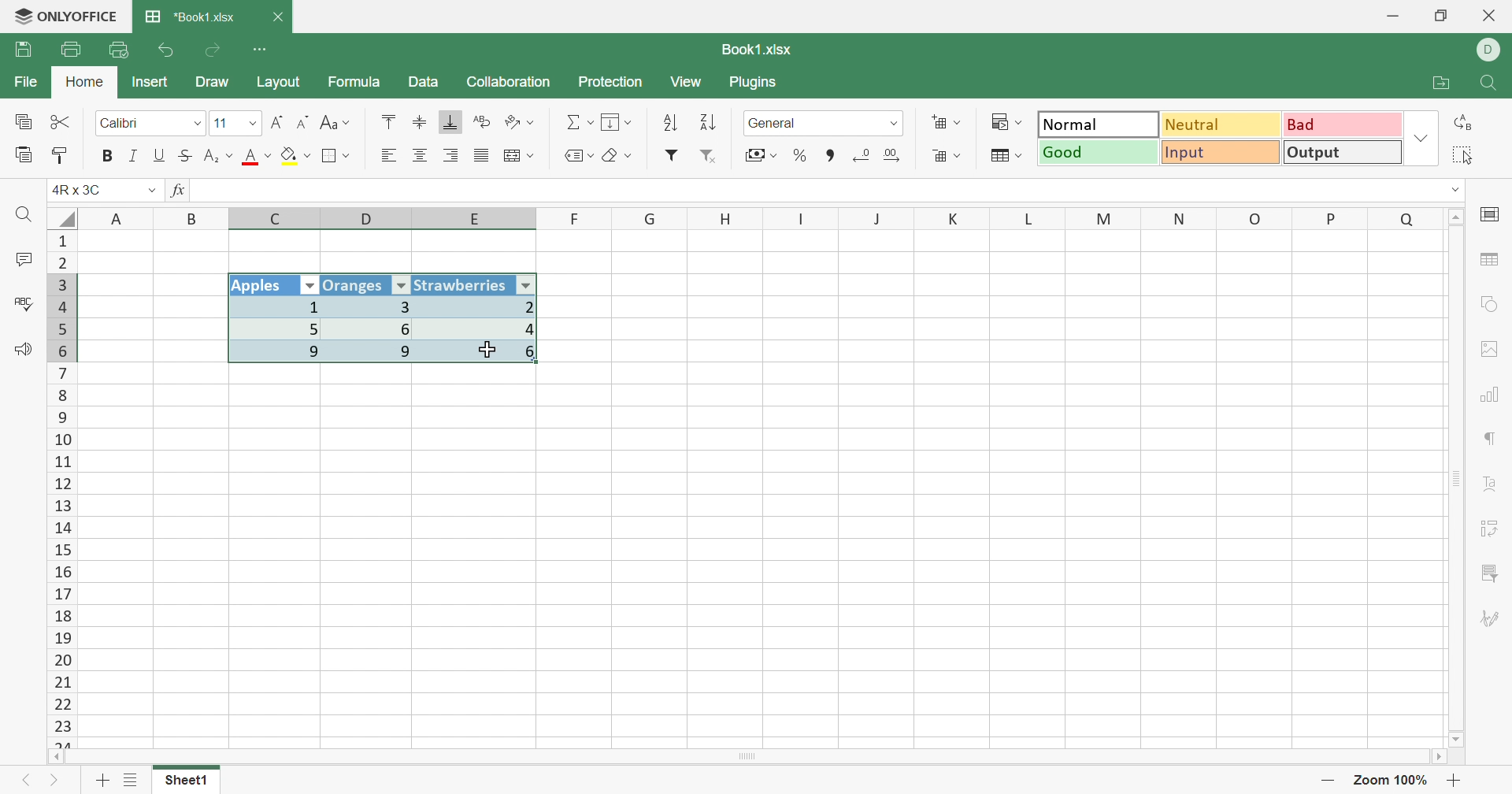 This screenshot has height=794, width=1512. What do you see at coordinates (279, 354) in the screenshot?
I see `9` at bounding box center [279, 354].